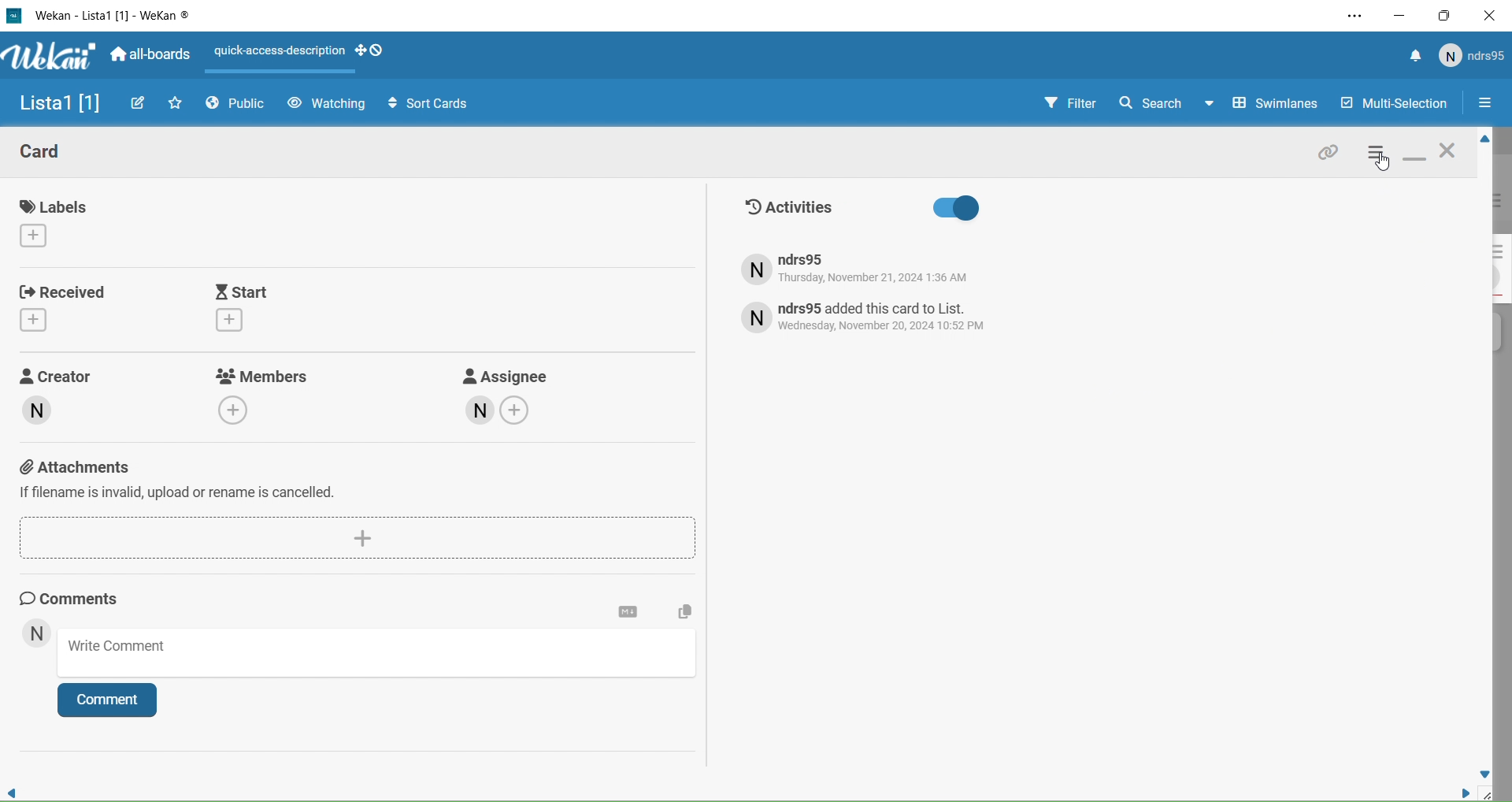 This screenshot has height=802, width=1512. What do you see at coordinates (1058, 104) in the screenshot?
I see `Filter` at bounding box center [1058, 104].